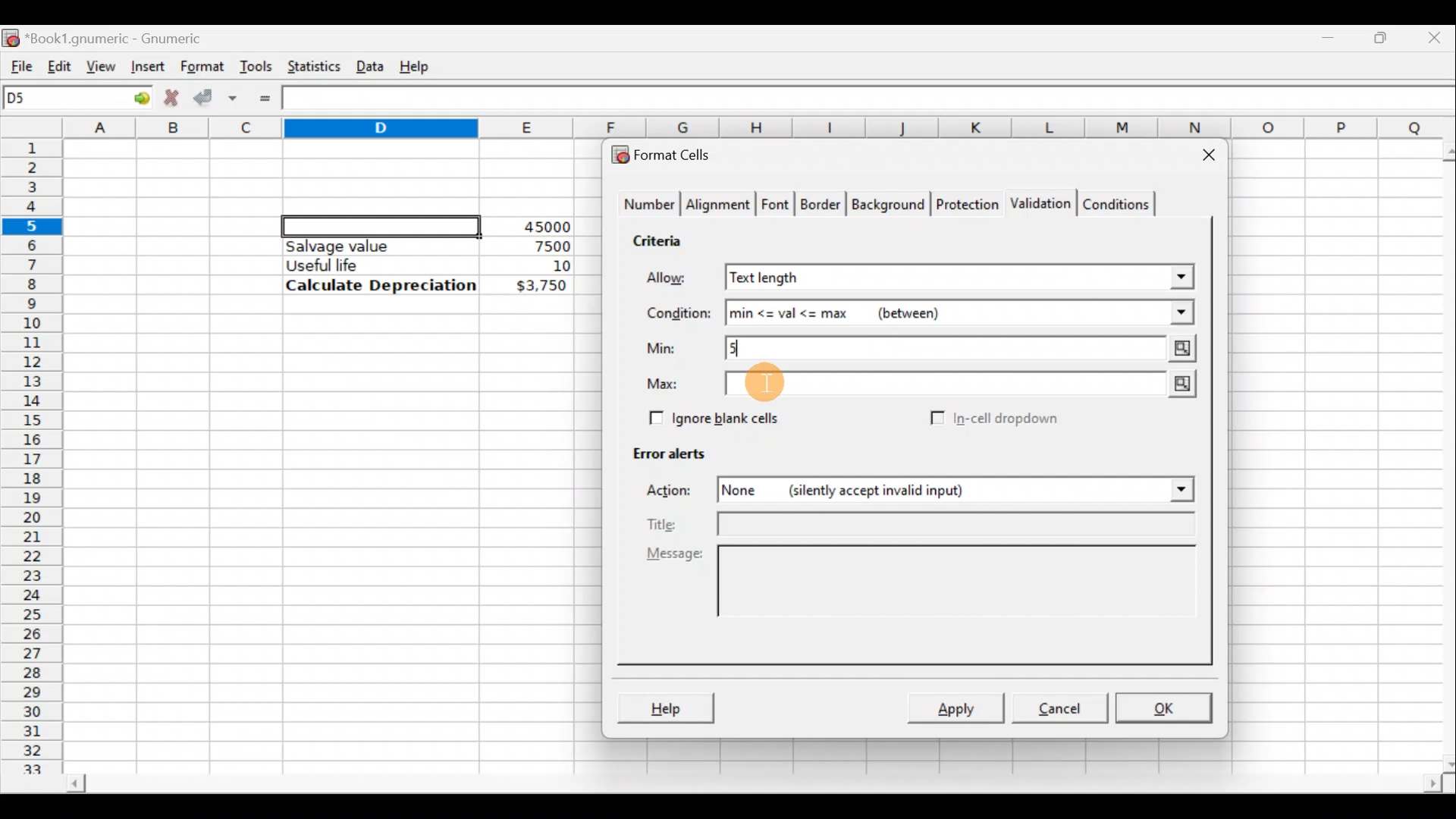 This screenshot has height=819, width=1456. What do you see at coordinates (924, 526) in the screenshot?
I see `Title` at bounding box center [924, 526].